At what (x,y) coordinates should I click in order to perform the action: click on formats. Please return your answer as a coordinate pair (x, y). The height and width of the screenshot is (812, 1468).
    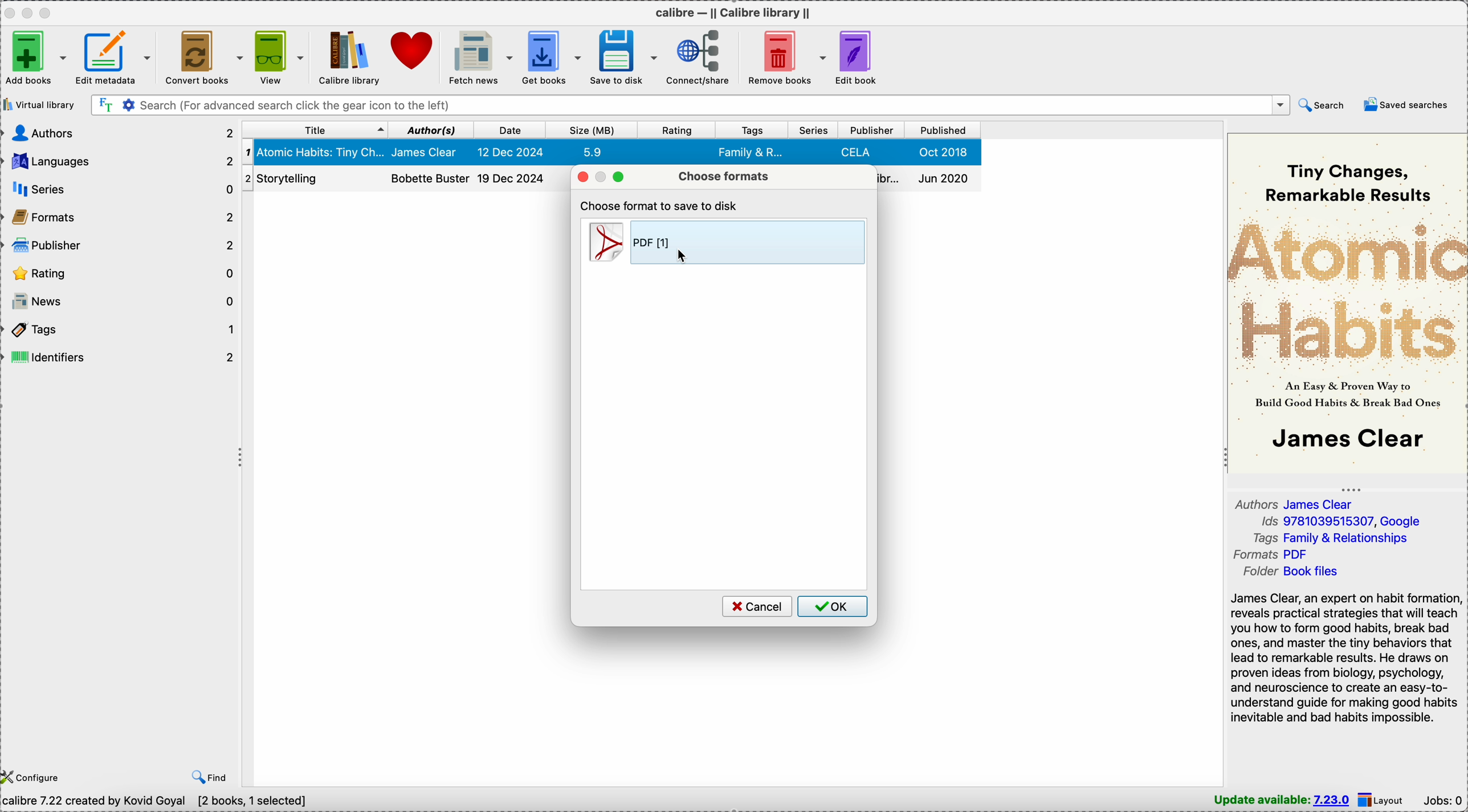
    Looking at the image, I should click on (122, 219).